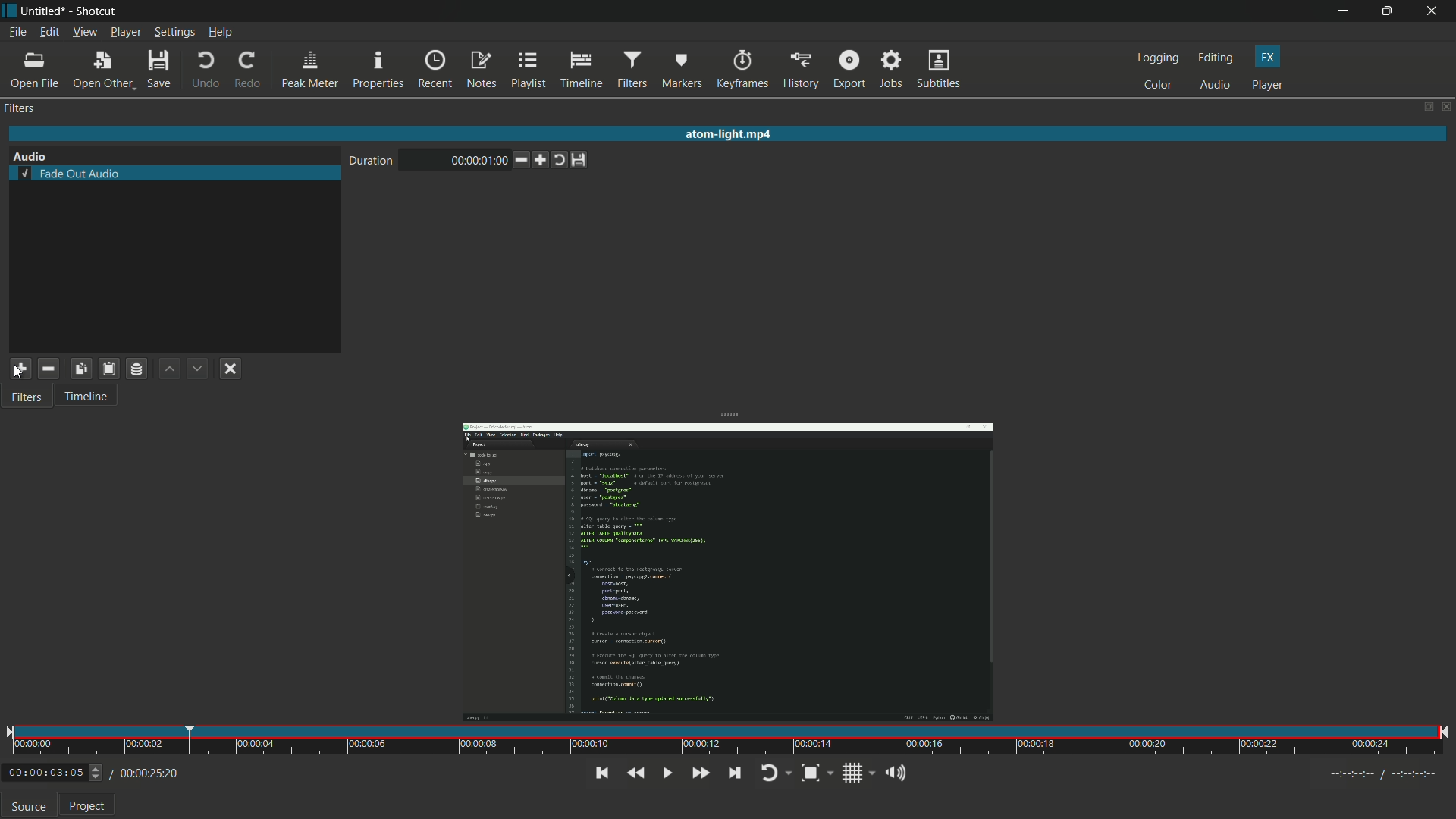 The height and width of the screenshot is (819, 1456). I want to click on audio, so click(1215, 86).